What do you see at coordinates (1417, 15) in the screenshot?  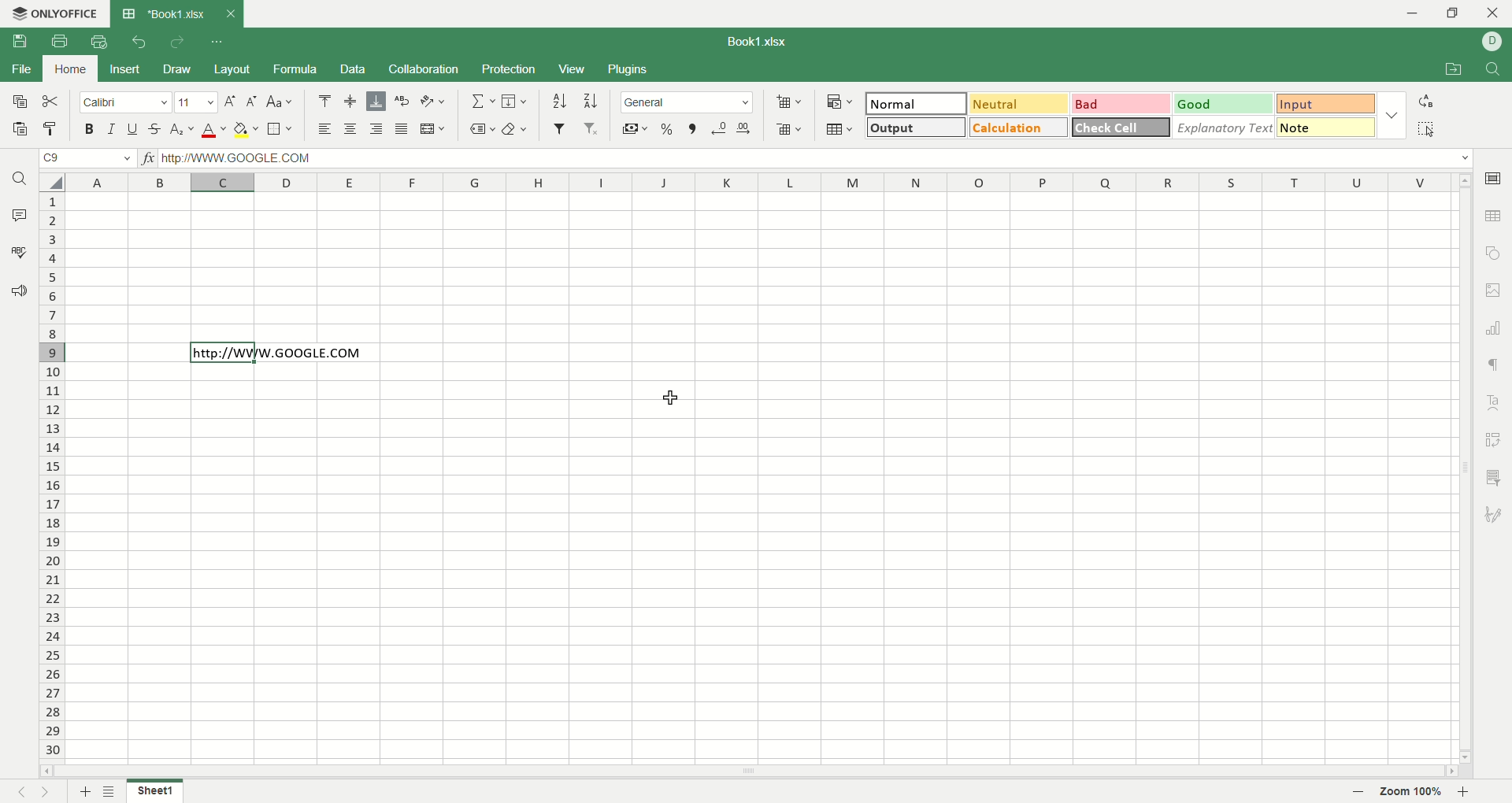 I see `minimize` at bounding box center [1417, 15].